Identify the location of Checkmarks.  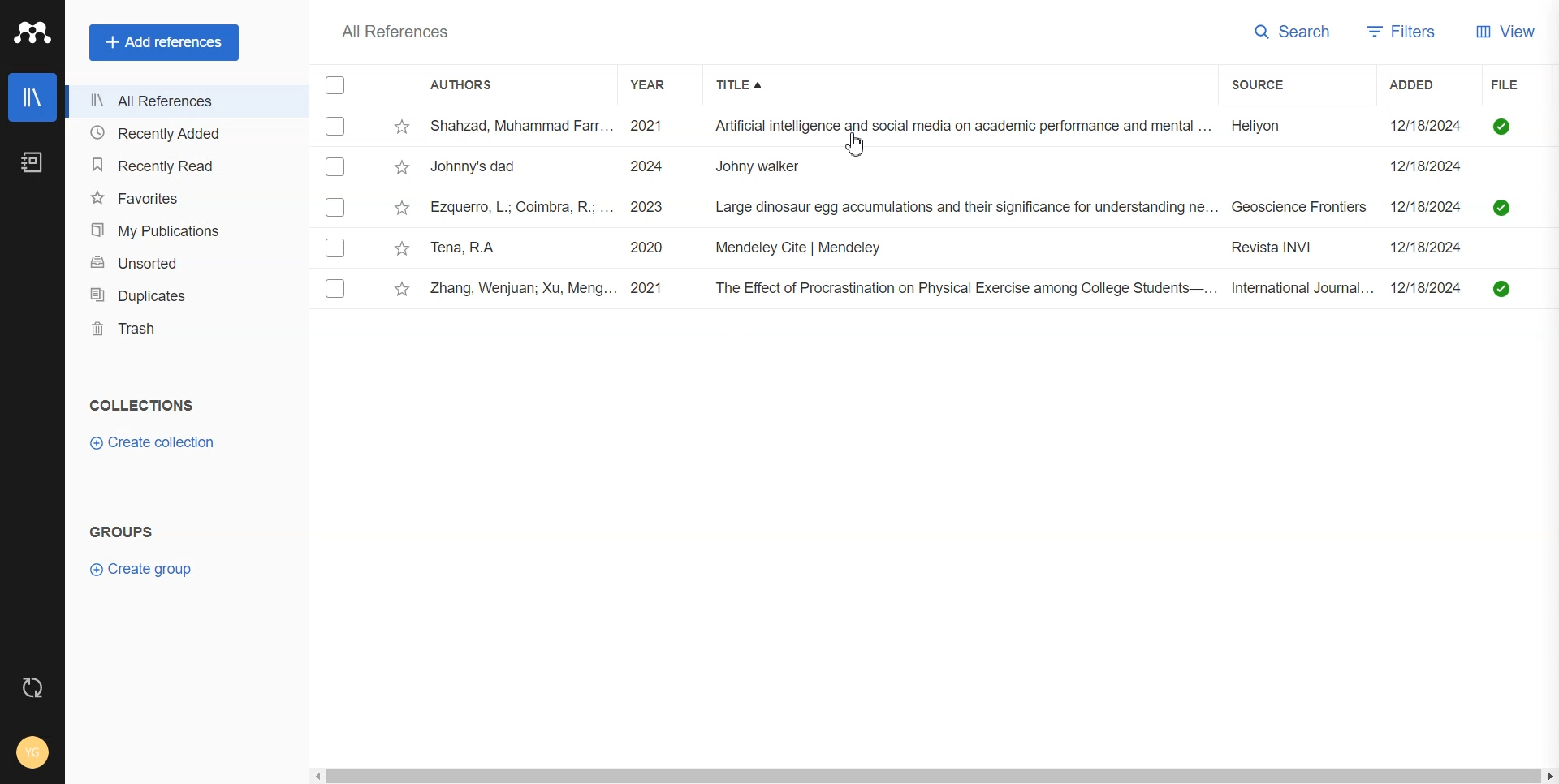
(335, 86).